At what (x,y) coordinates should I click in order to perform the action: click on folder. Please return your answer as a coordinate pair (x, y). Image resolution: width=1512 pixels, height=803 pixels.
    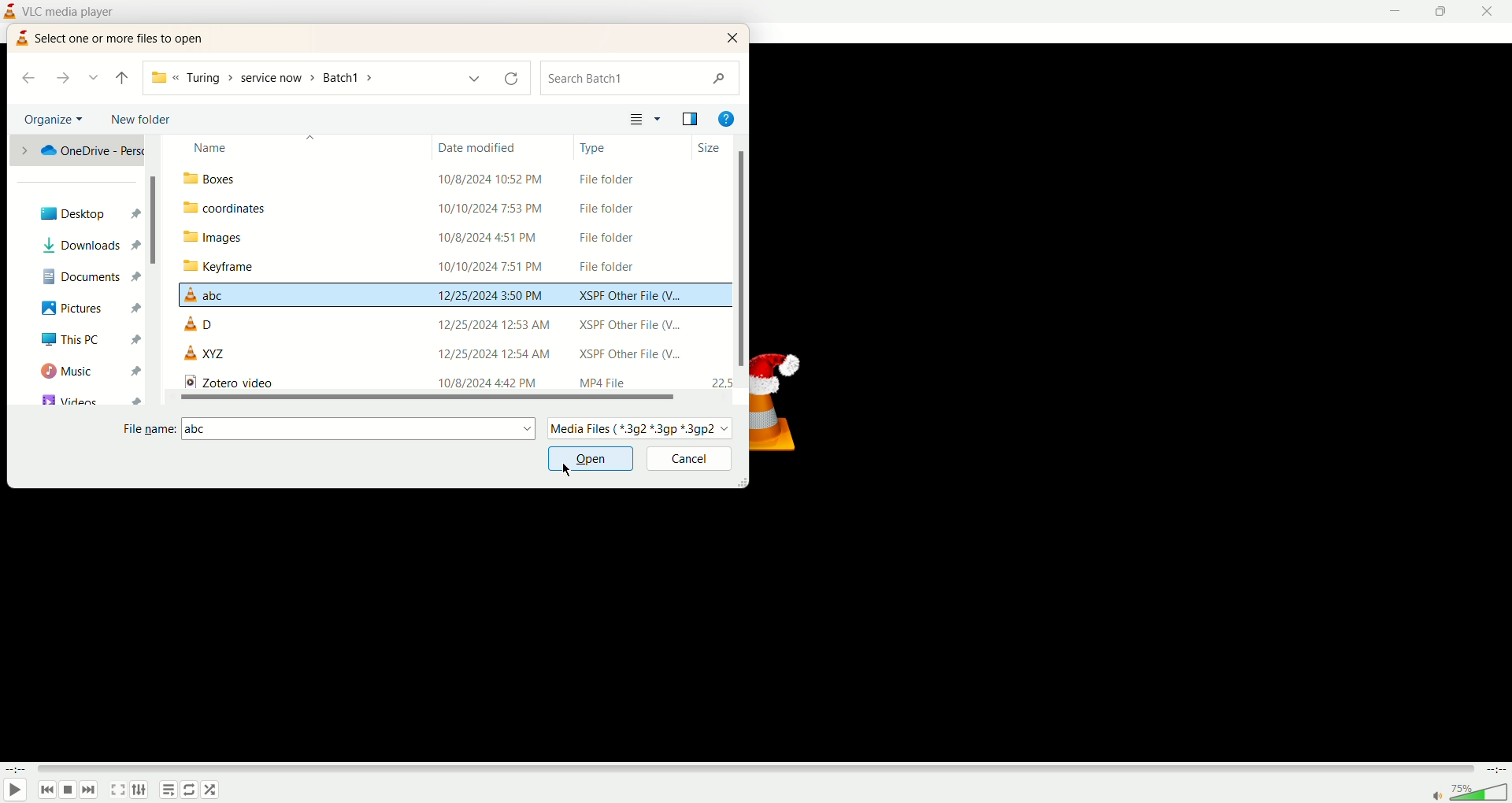
    Looking at the image, I should click on (452, 236).